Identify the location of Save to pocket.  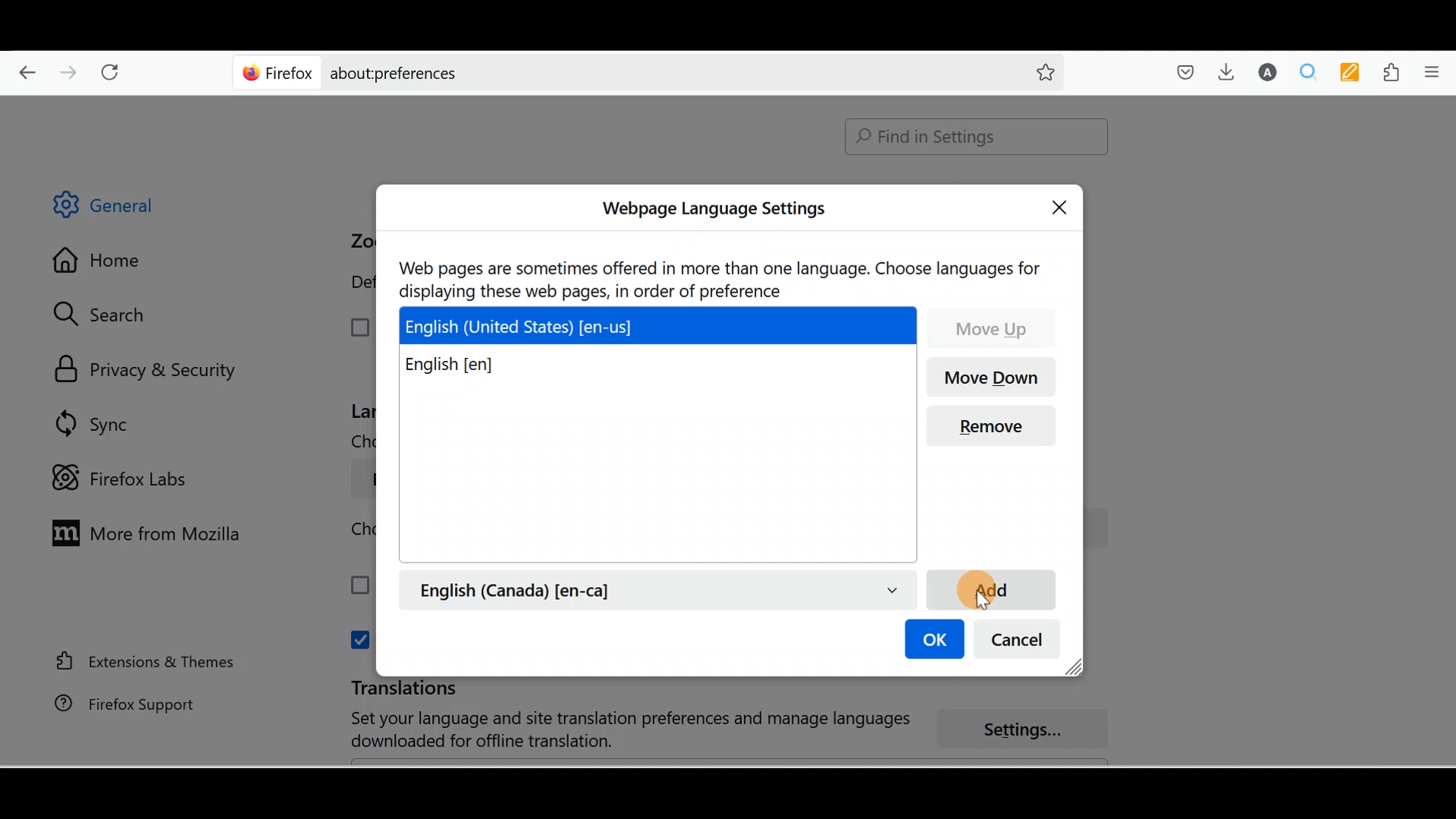
(1180, 73).